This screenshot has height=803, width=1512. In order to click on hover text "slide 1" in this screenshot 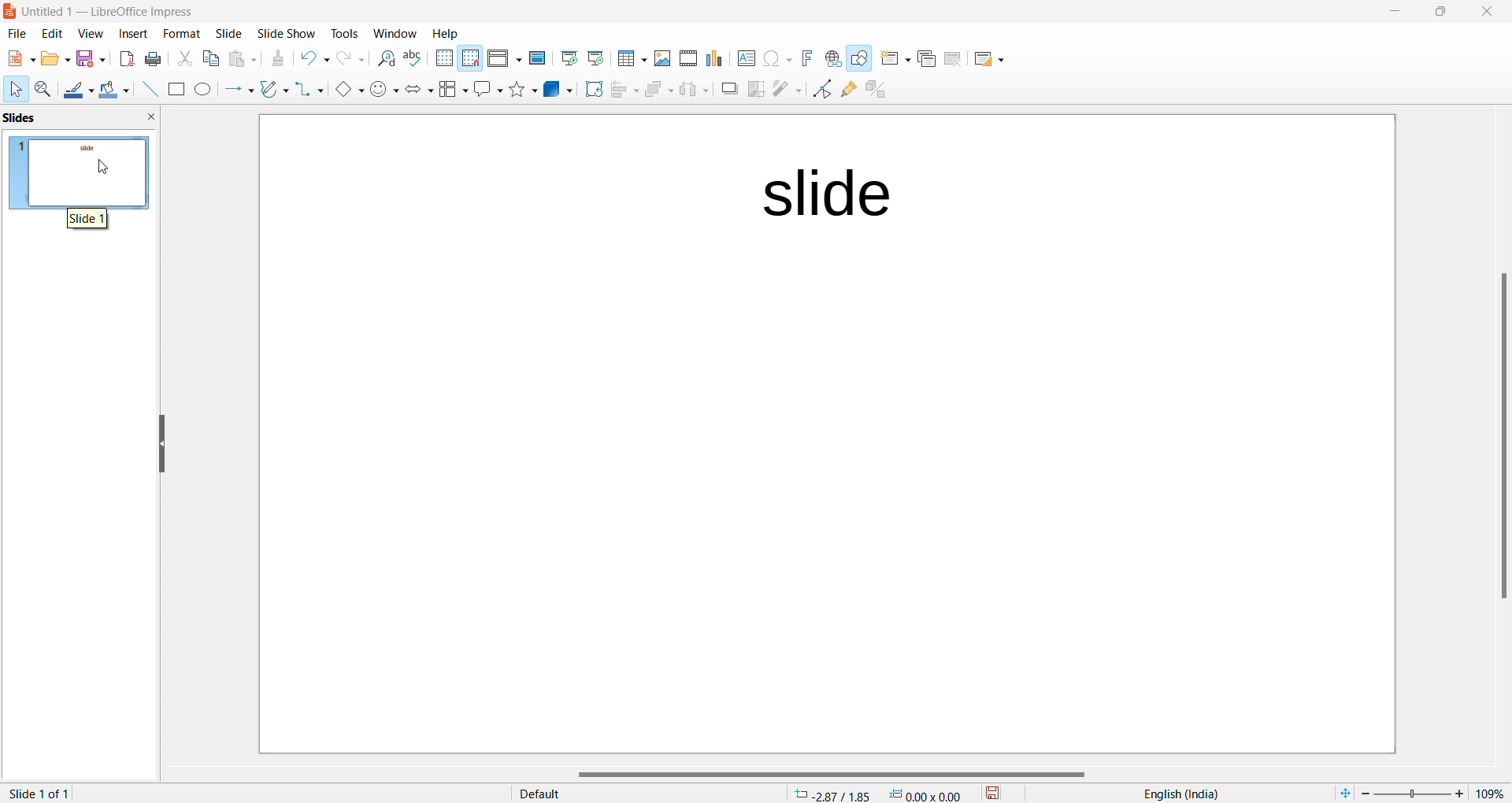, I will do `click(87, 220)`.